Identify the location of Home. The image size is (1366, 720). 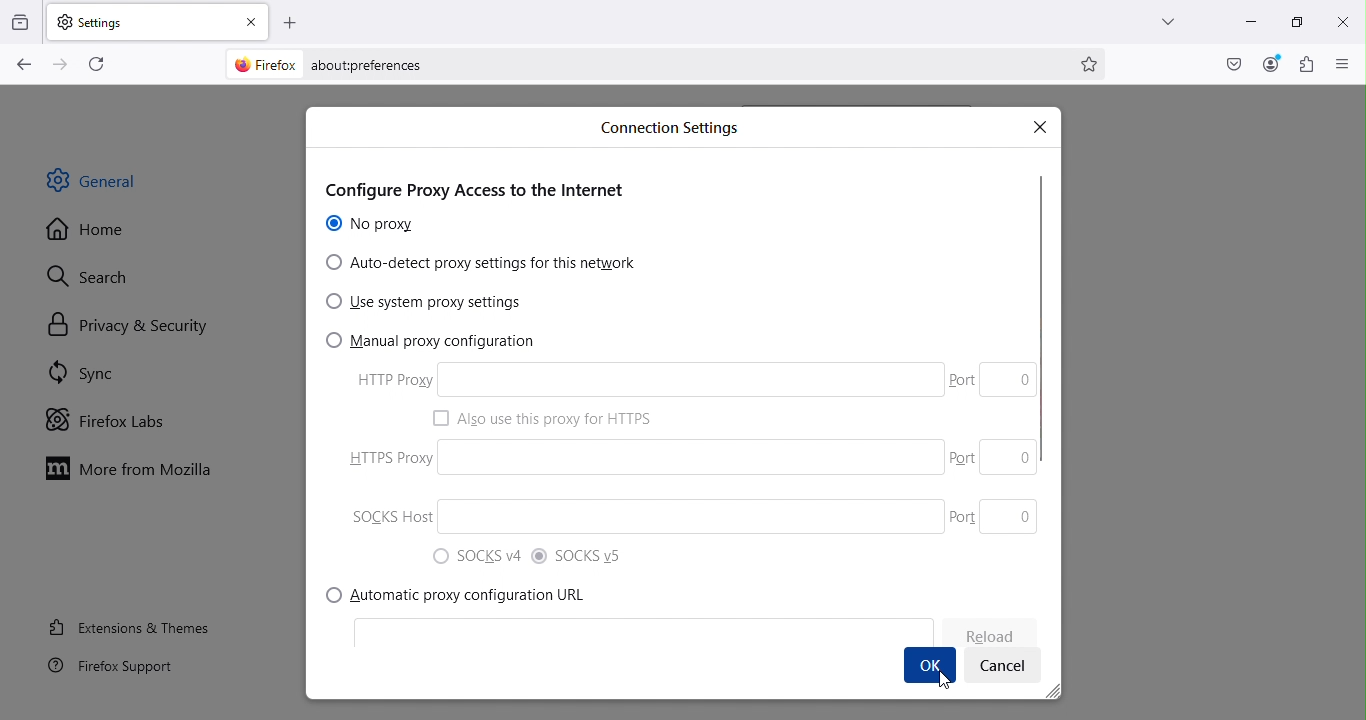
(98, 230).